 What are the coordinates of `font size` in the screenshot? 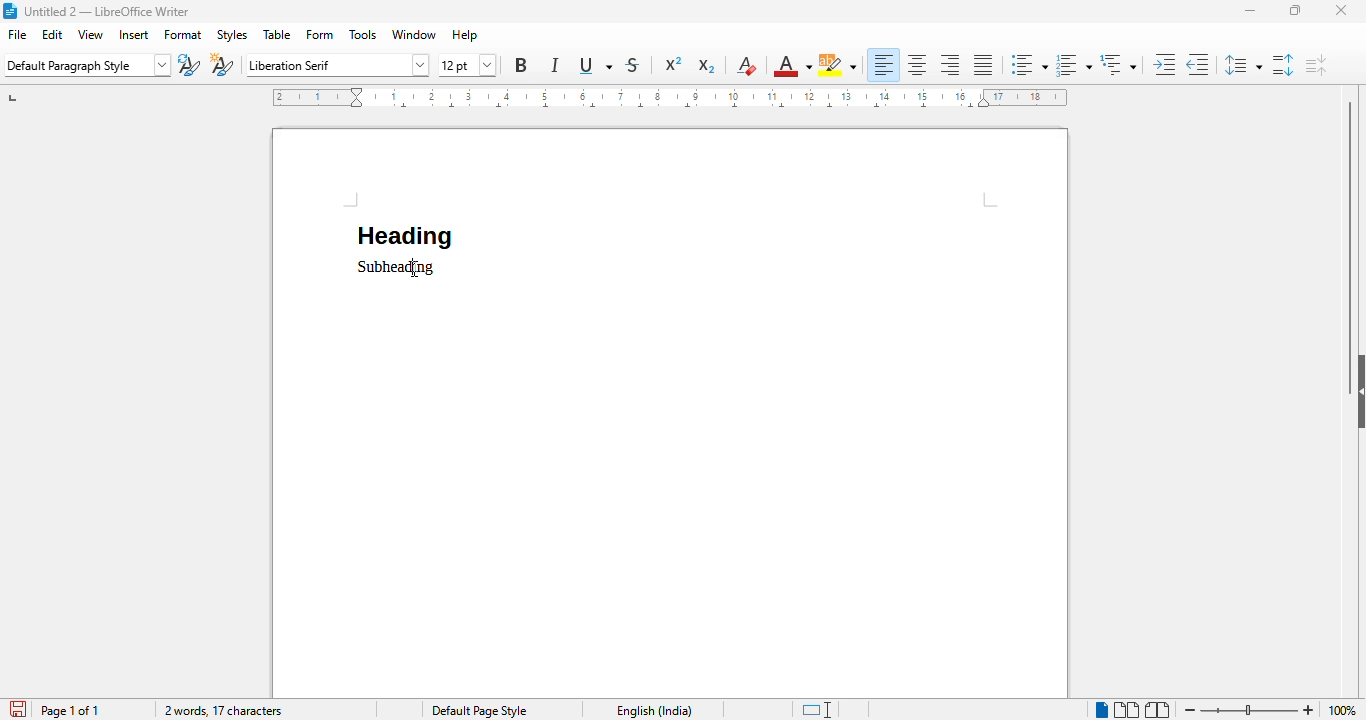 It's located at (468, 66).